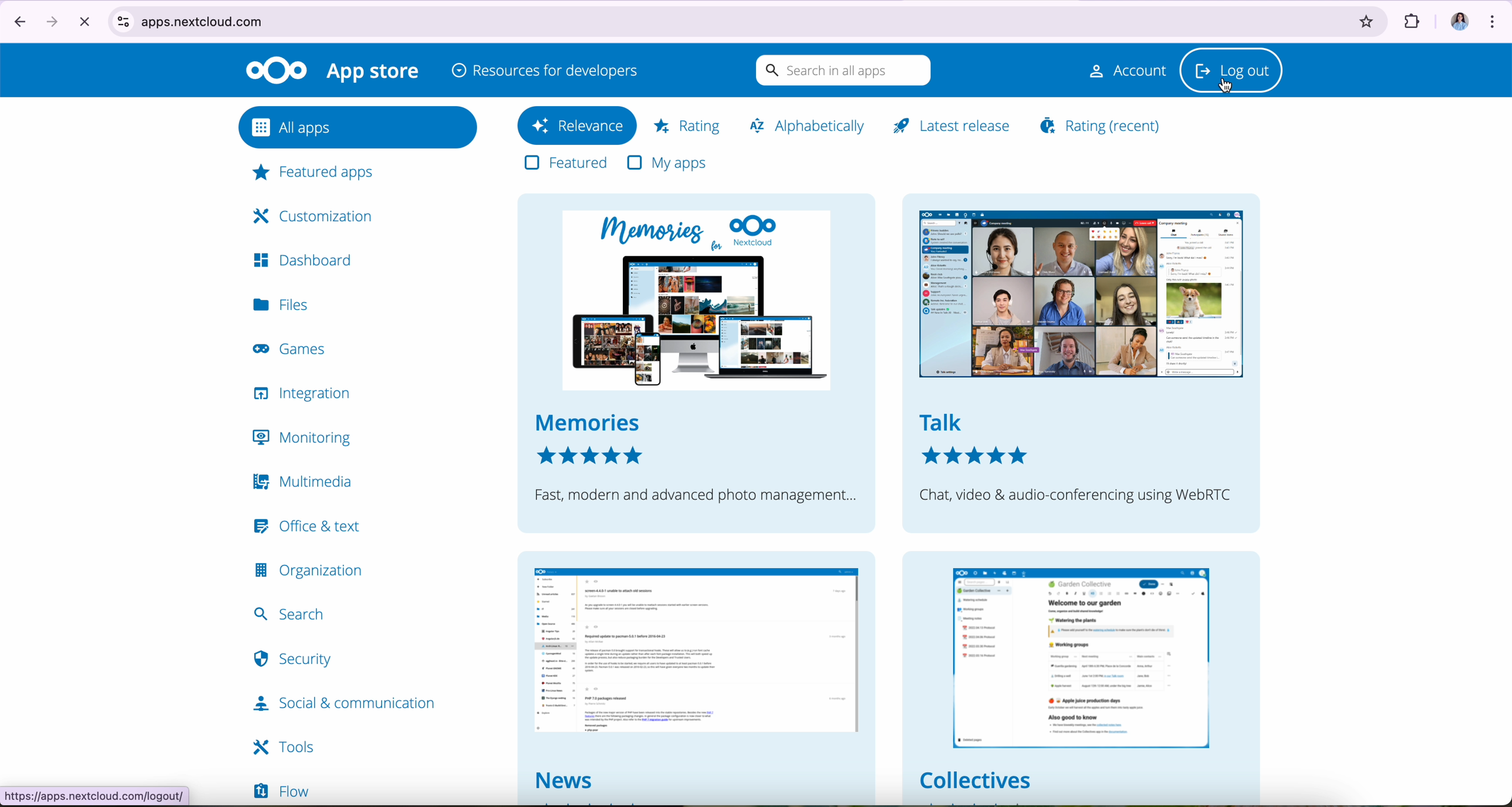 This screenshot has width=1512, height=807. What do you see at coordinates (291, 614) in the screenshot?
I see `search` at bounding box center [291, 614].